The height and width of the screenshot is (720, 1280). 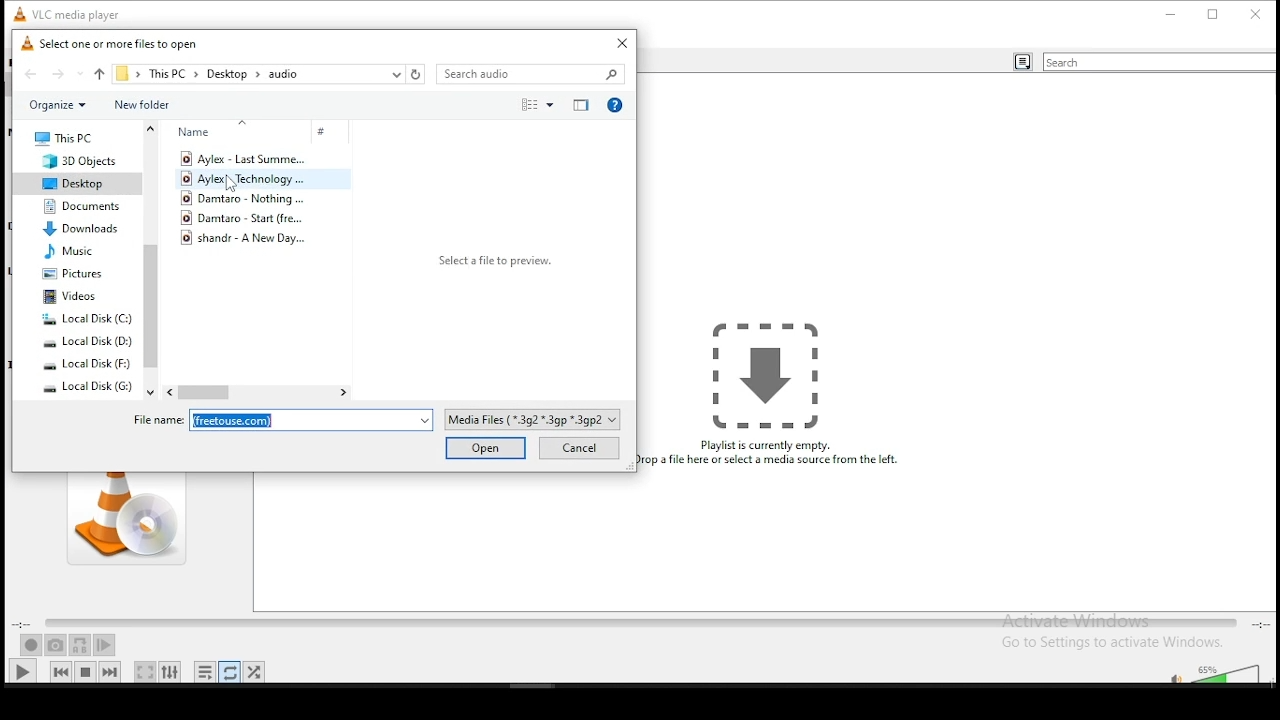 I want to click on 3D objects, so click(x=69, y=162).